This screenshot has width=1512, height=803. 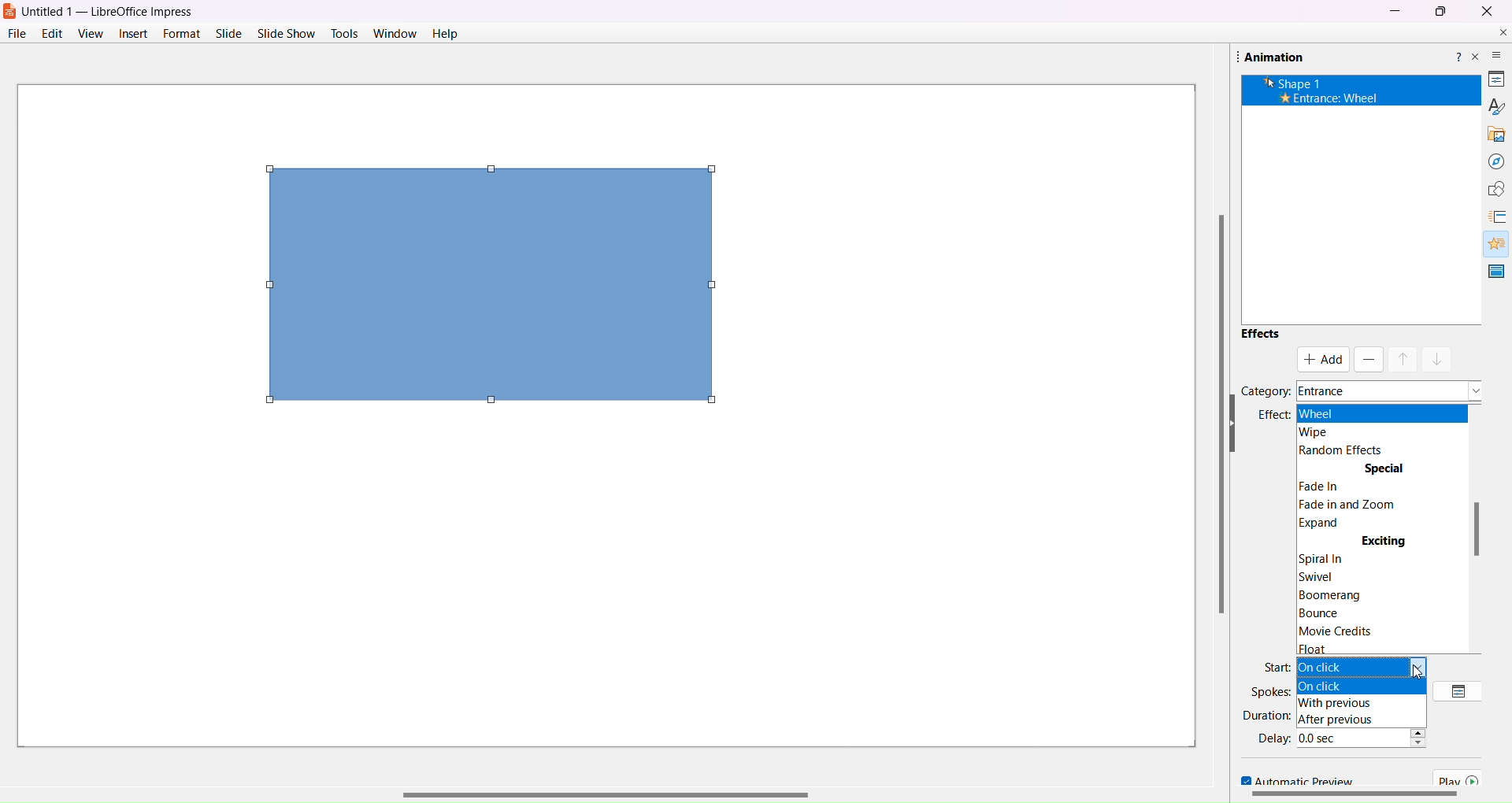 I want to click on Automatic Preview, so click(x=1291, y=780).